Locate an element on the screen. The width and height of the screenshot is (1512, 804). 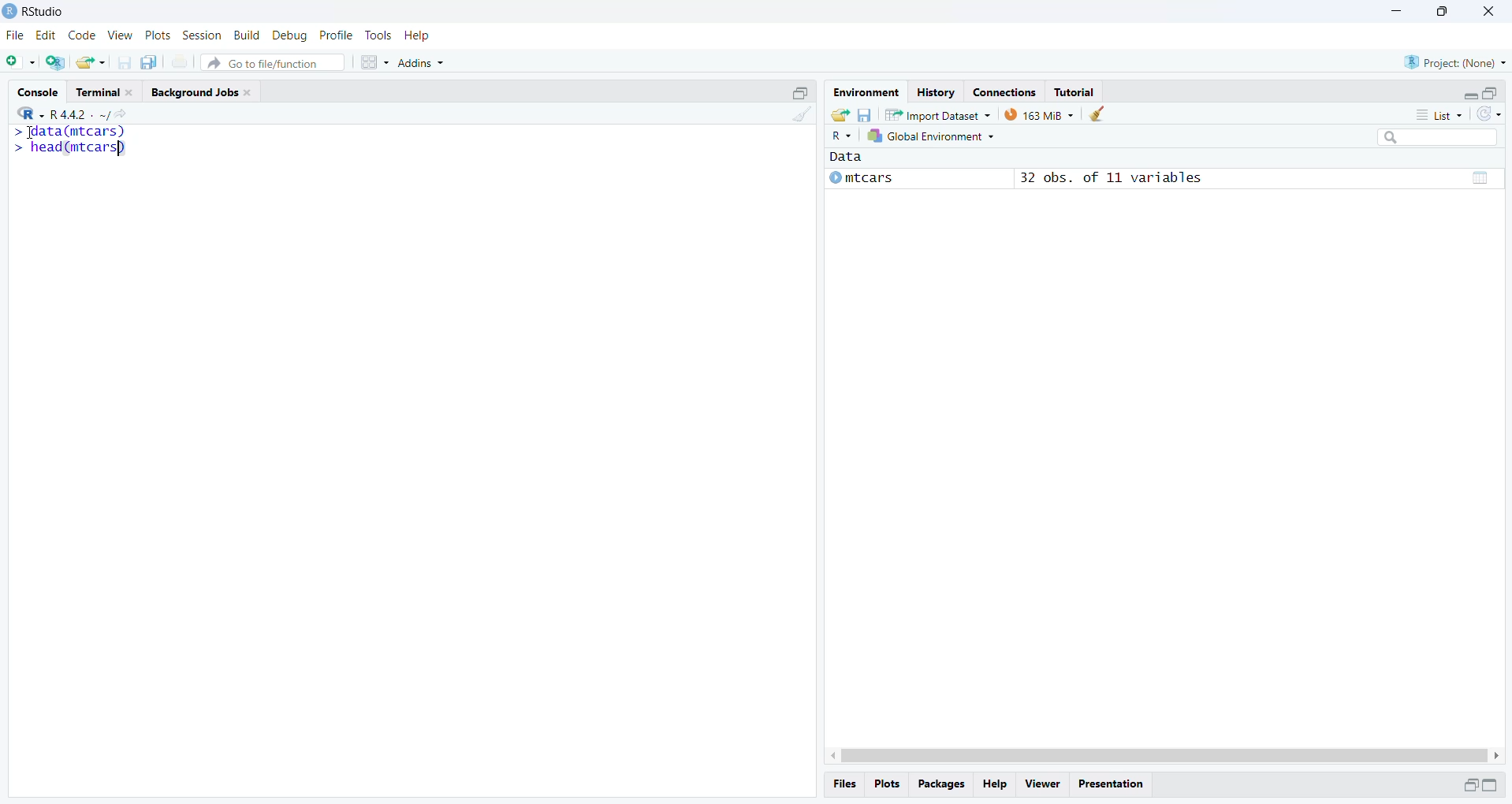
print is located at coordinates (180, 62).